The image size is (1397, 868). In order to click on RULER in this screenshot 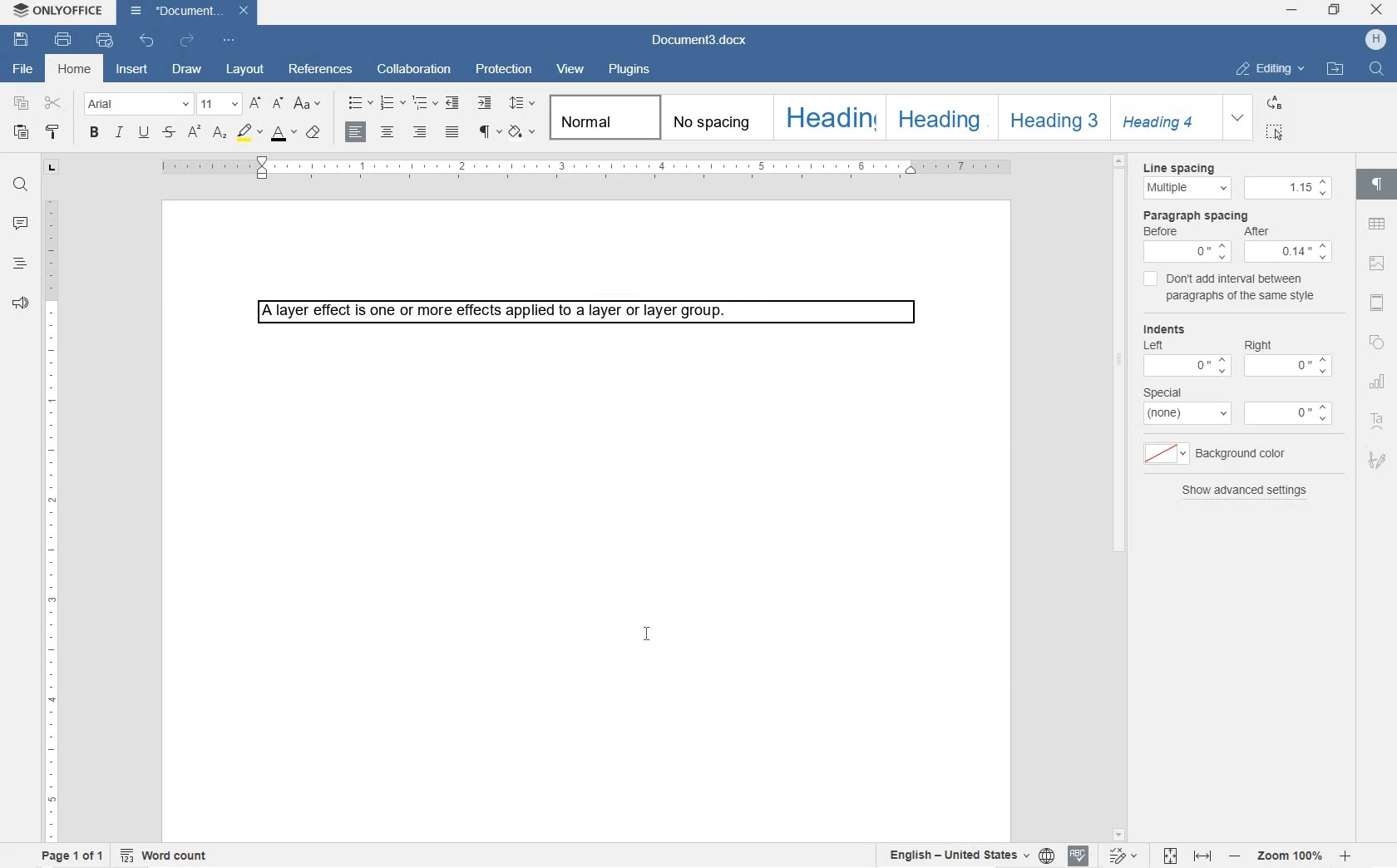, I will do `click(585, 168)`.